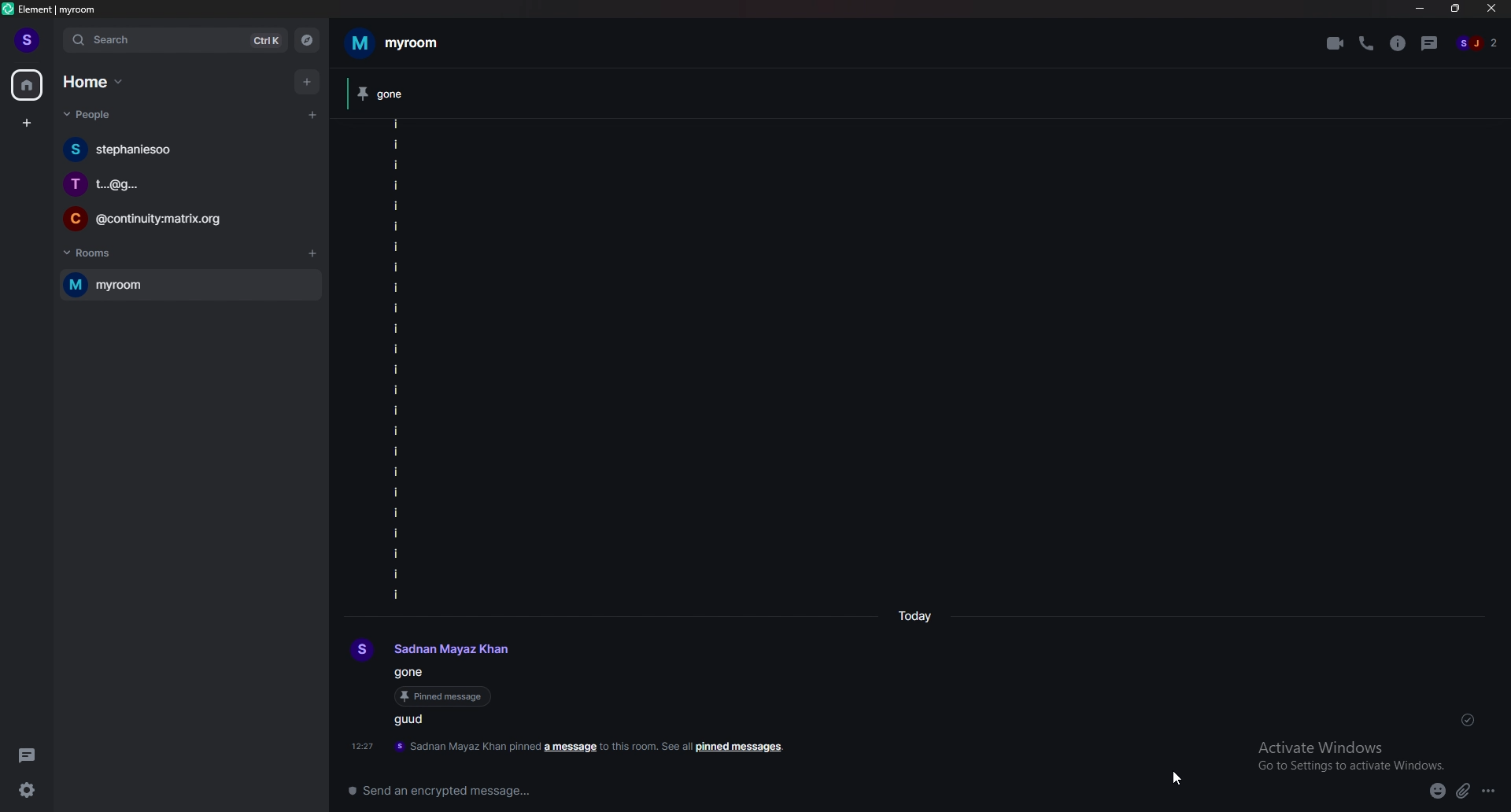 This screenshot has height=812, width=1511. Describe the element at coordinates (186, 219) in the screenshot. I see `chat` at that location.